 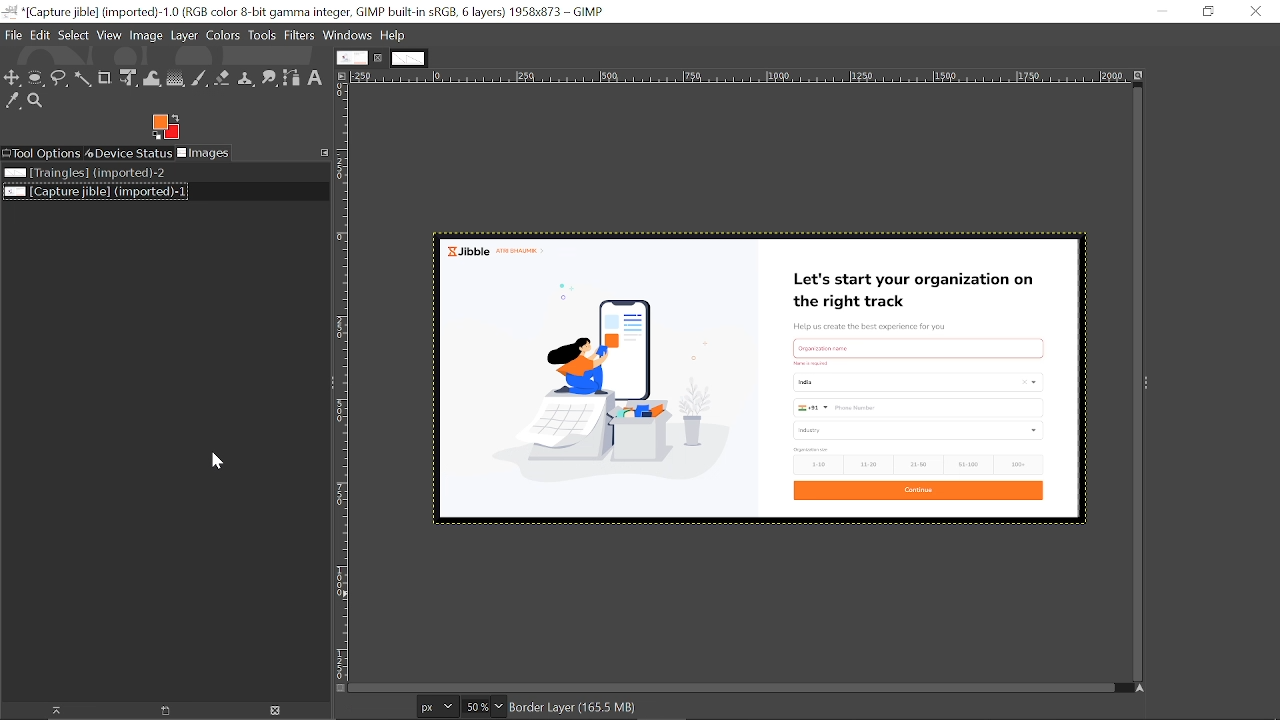 What do you see at coordinates (61, 79) in the screenshot?
I see `Free select tool` at bounding box center [61, 79].